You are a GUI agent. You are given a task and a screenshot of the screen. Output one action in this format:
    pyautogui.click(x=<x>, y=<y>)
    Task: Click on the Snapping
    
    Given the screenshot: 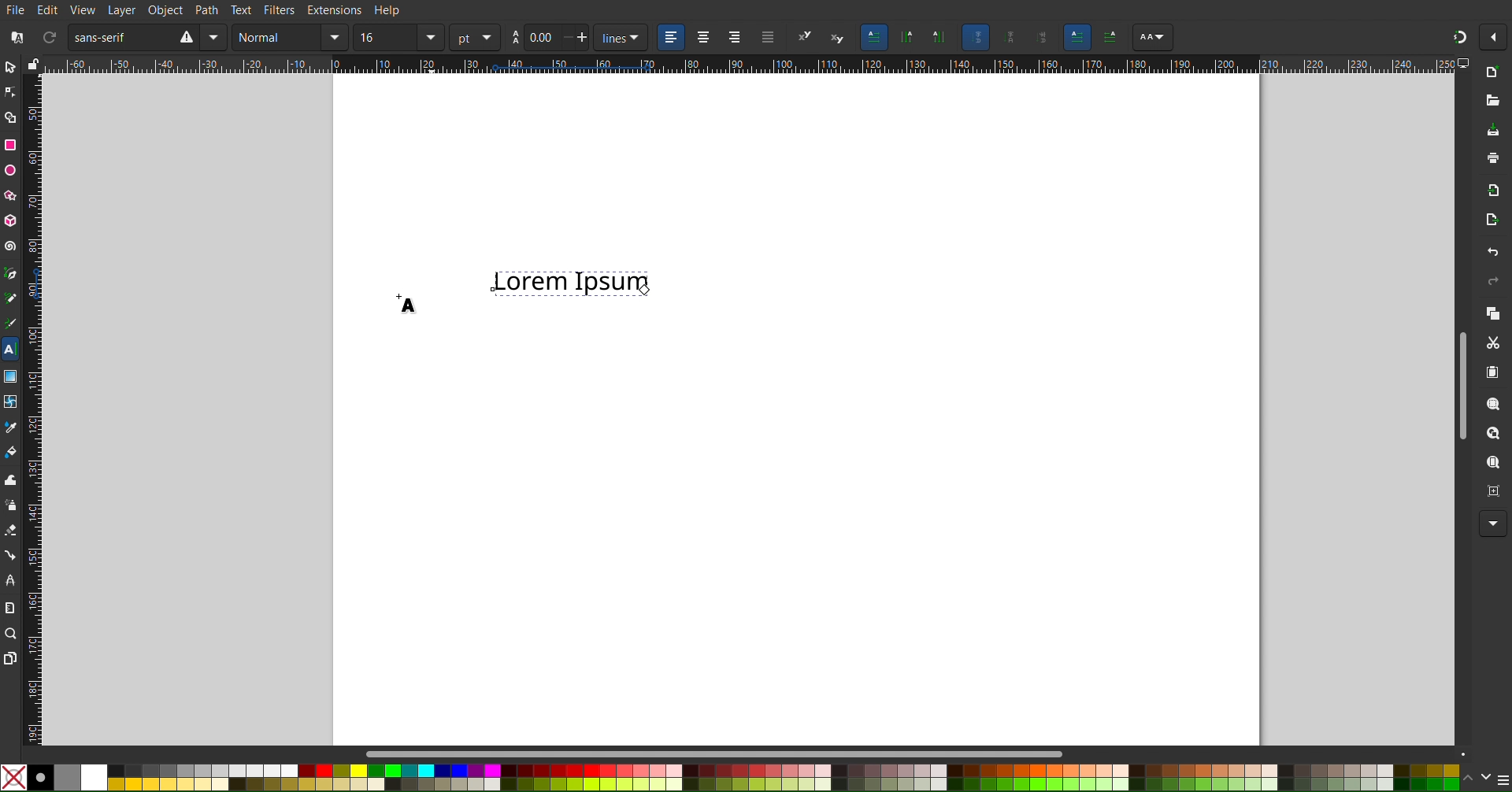 What is the action you would take?
    pyautogui.click(x=1459, y=37)
    